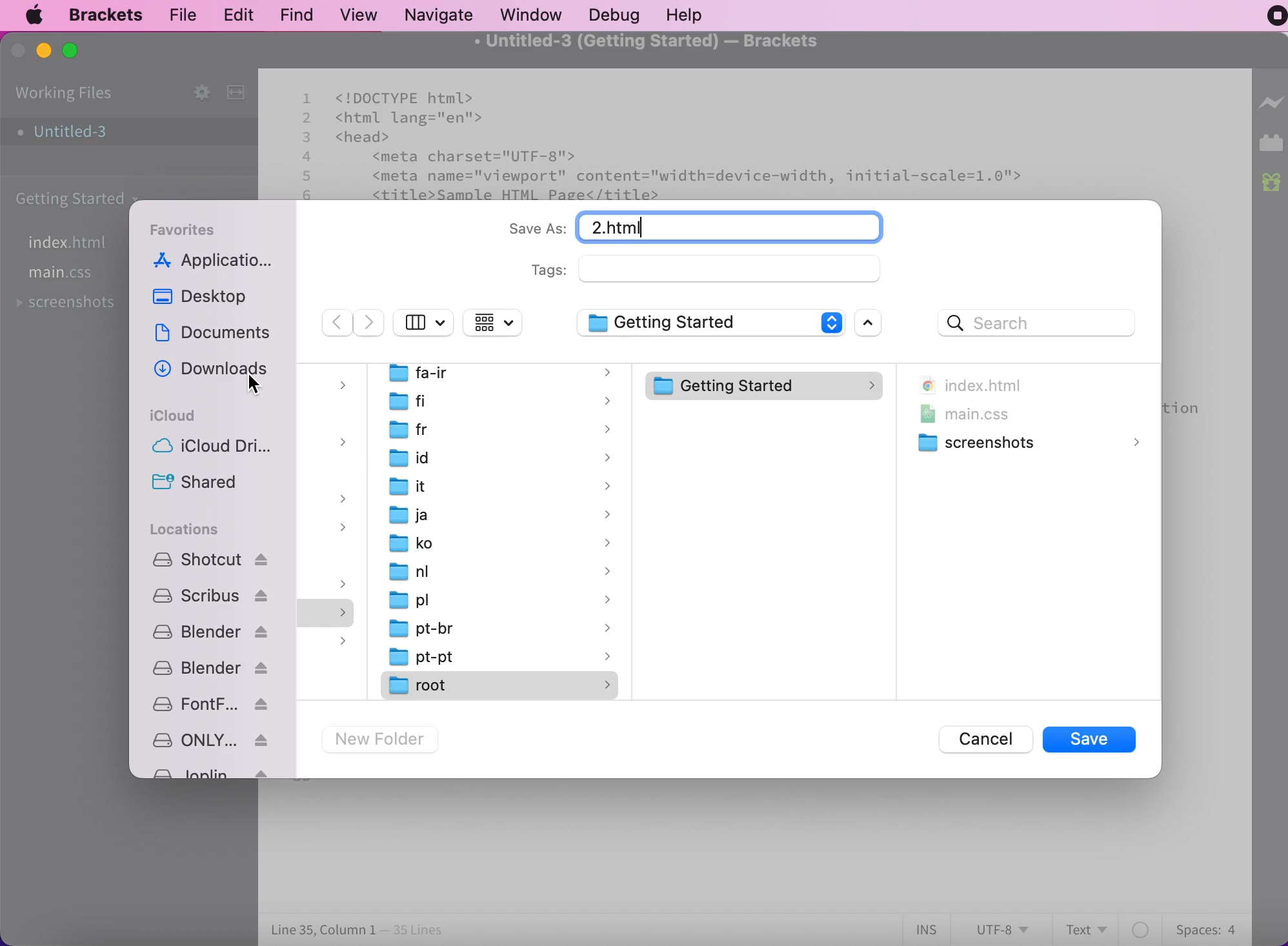 The width and height of the screenshot is (1288, 946). I want to click on spaces:4, so click(1204, 927).